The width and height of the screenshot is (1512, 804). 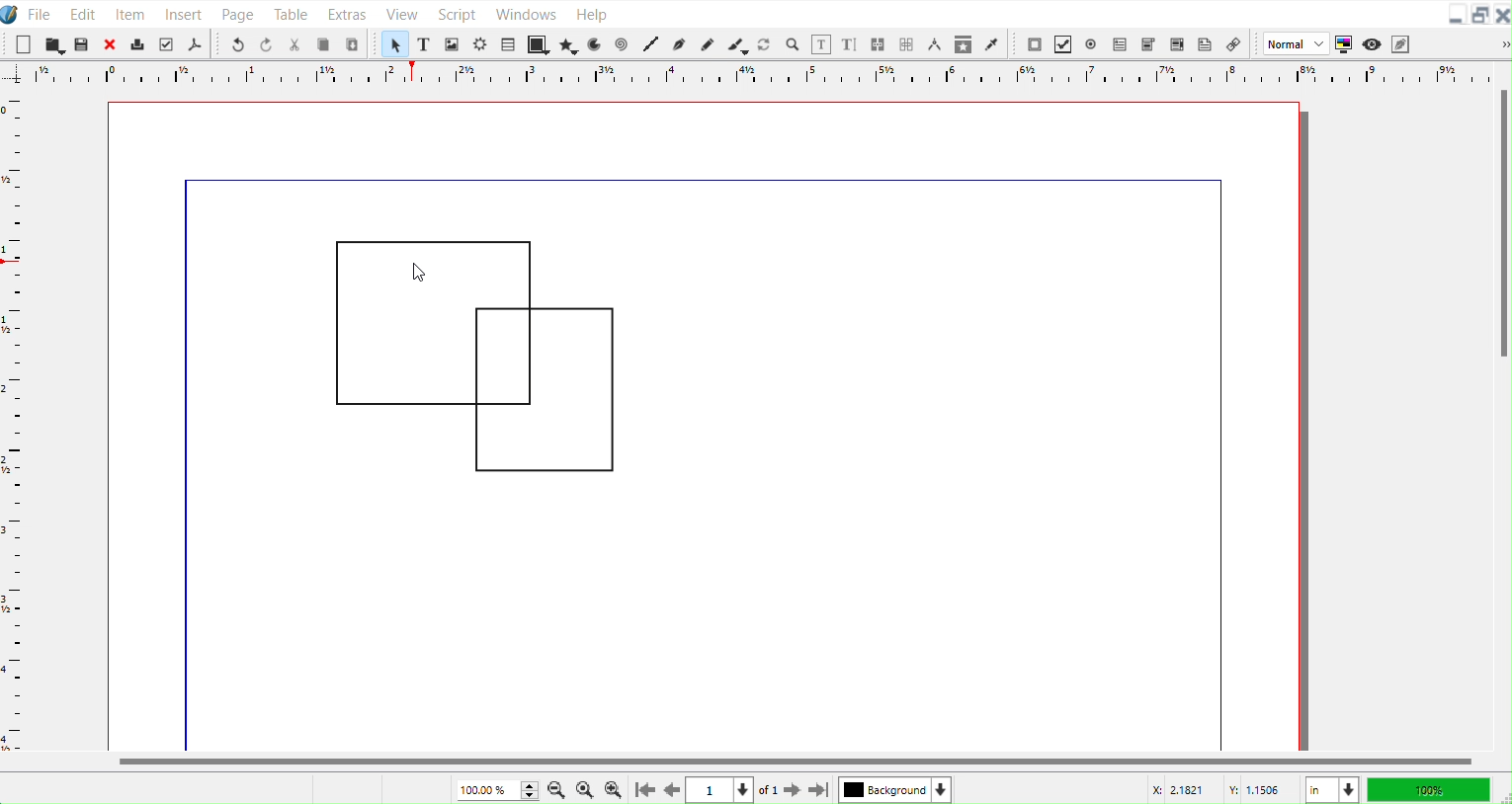 I want to click on Go to last Page, so click(x=820, y=792).